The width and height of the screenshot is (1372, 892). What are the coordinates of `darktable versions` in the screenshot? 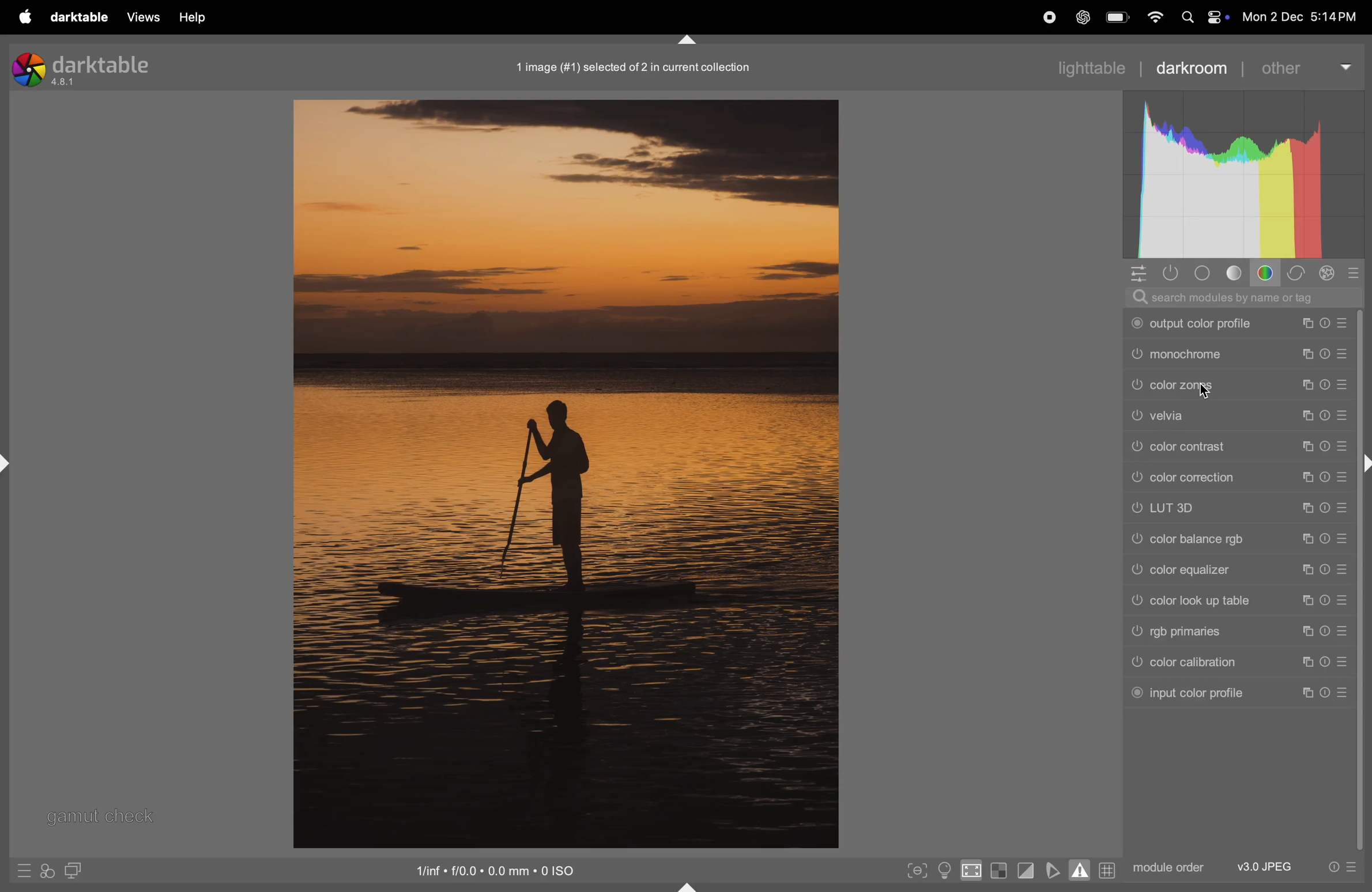 It's located at (88, 68).